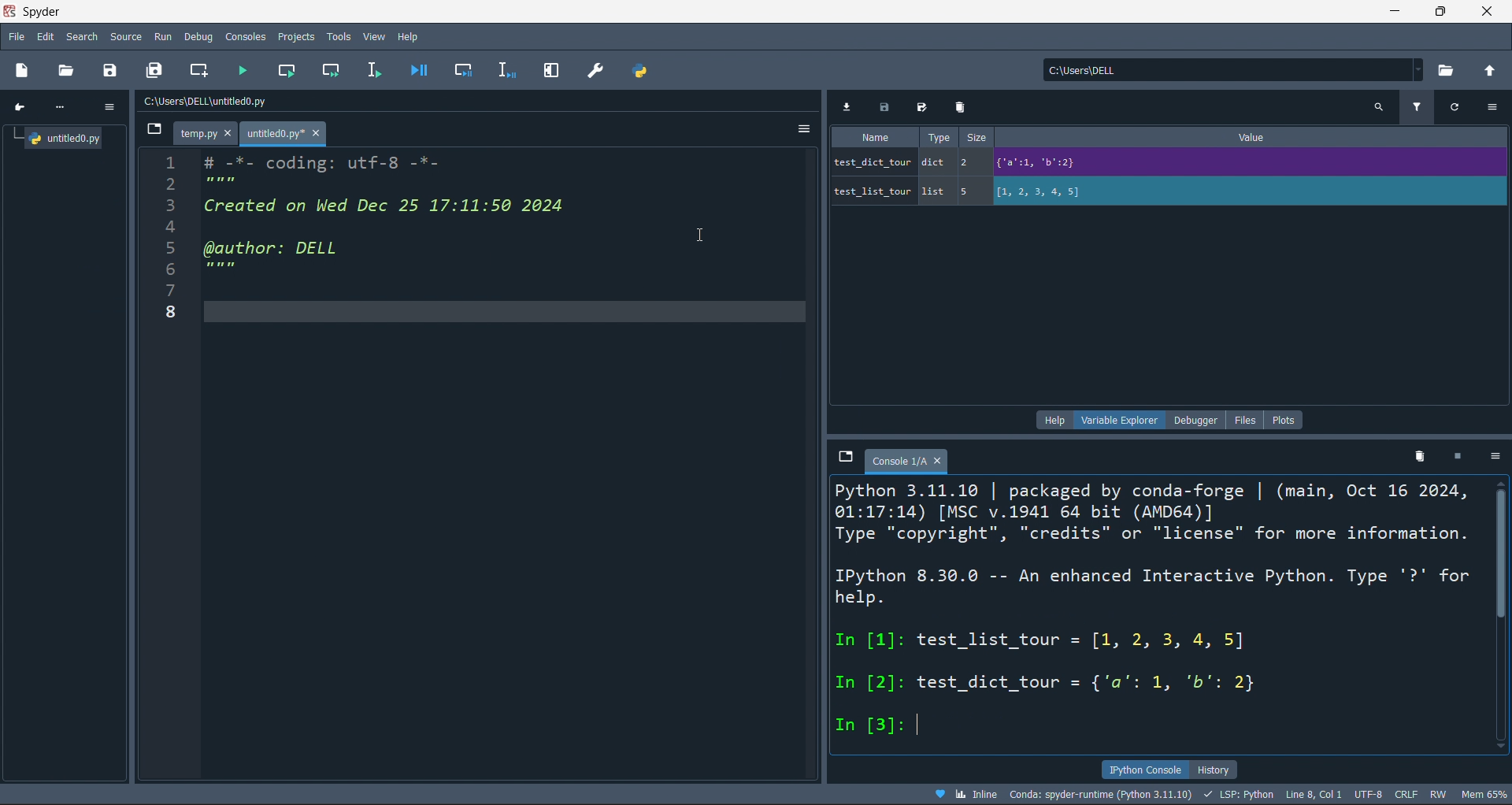 The height and width of the screenshot is (805, 1512). What do you see at coordinates (378, 71) in the screenshot?
I see `run line` at bounding box center [378, 71].